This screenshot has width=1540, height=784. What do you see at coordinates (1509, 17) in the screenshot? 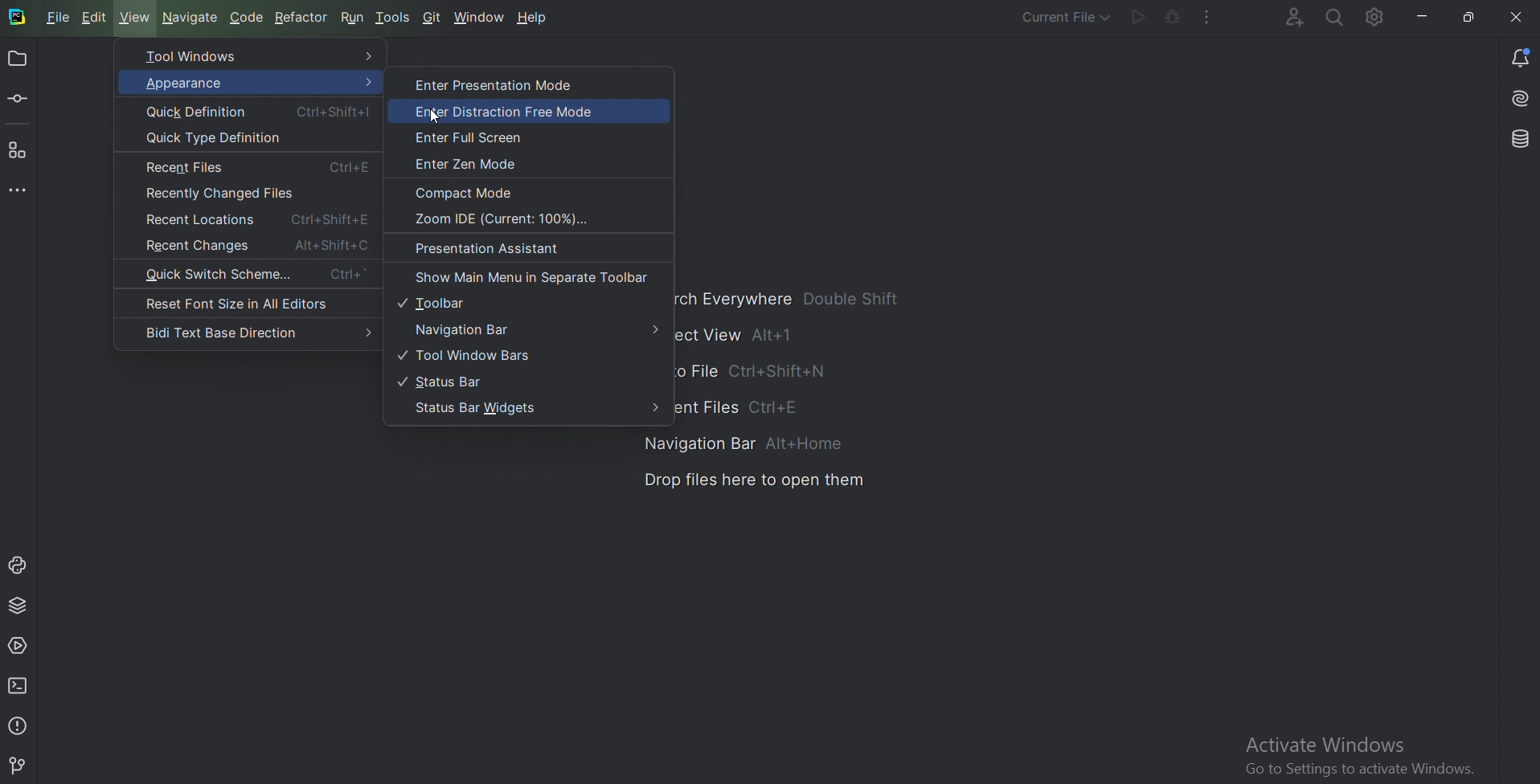
I see `Cross` at bounding box center [1509, 17].